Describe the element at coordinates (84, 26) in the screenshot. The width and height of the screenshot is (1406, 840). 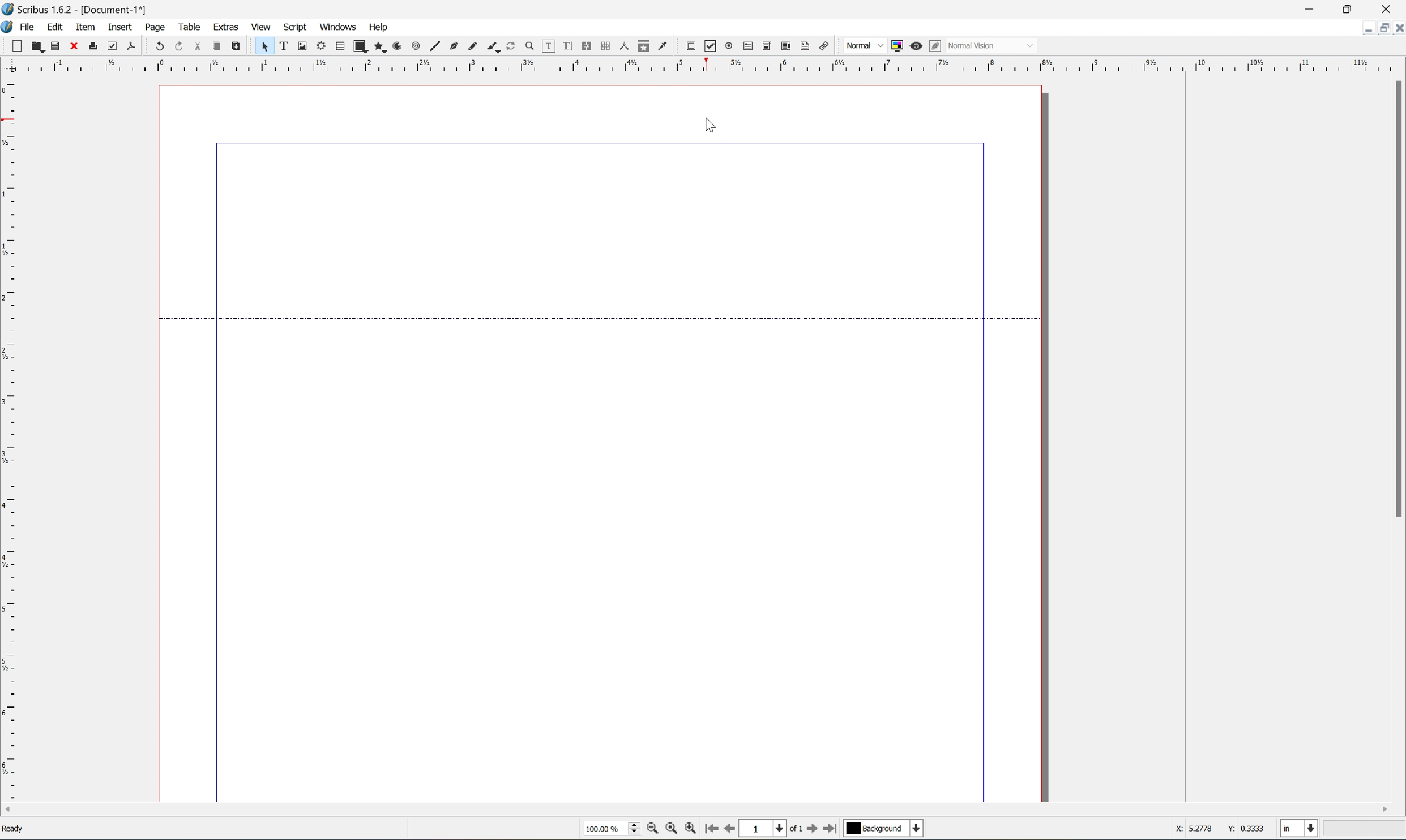
I see `item` at that location.